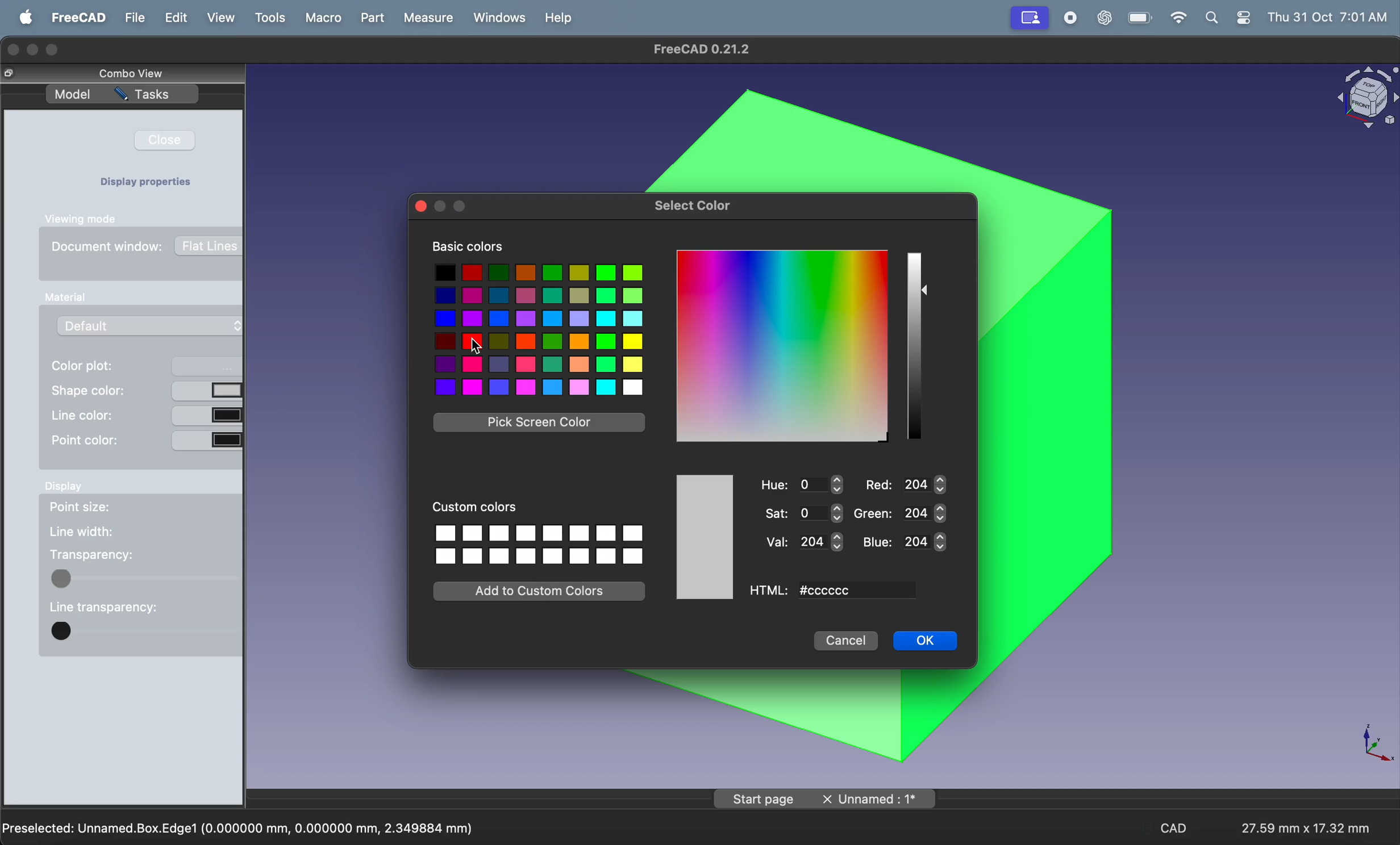 The width and height of the screenshot is (1400, 845). What do you see at coordinates (145, 414) in the screenshot?
I see `line color` at bounding box center [145, 414].